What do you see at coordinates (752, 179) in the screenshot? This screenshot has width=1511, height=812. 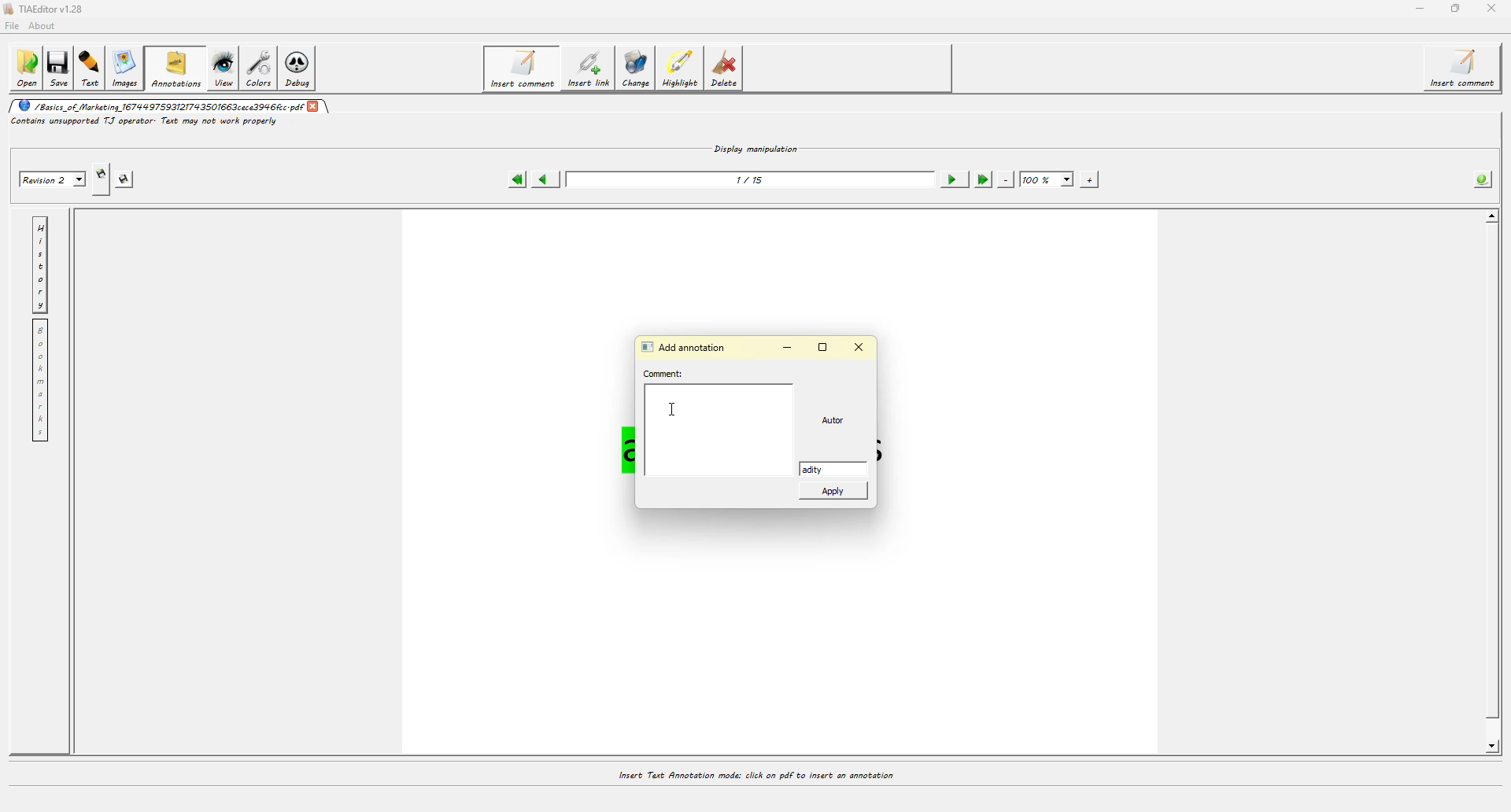 I see `1/15` at bounding box center [752, 179].